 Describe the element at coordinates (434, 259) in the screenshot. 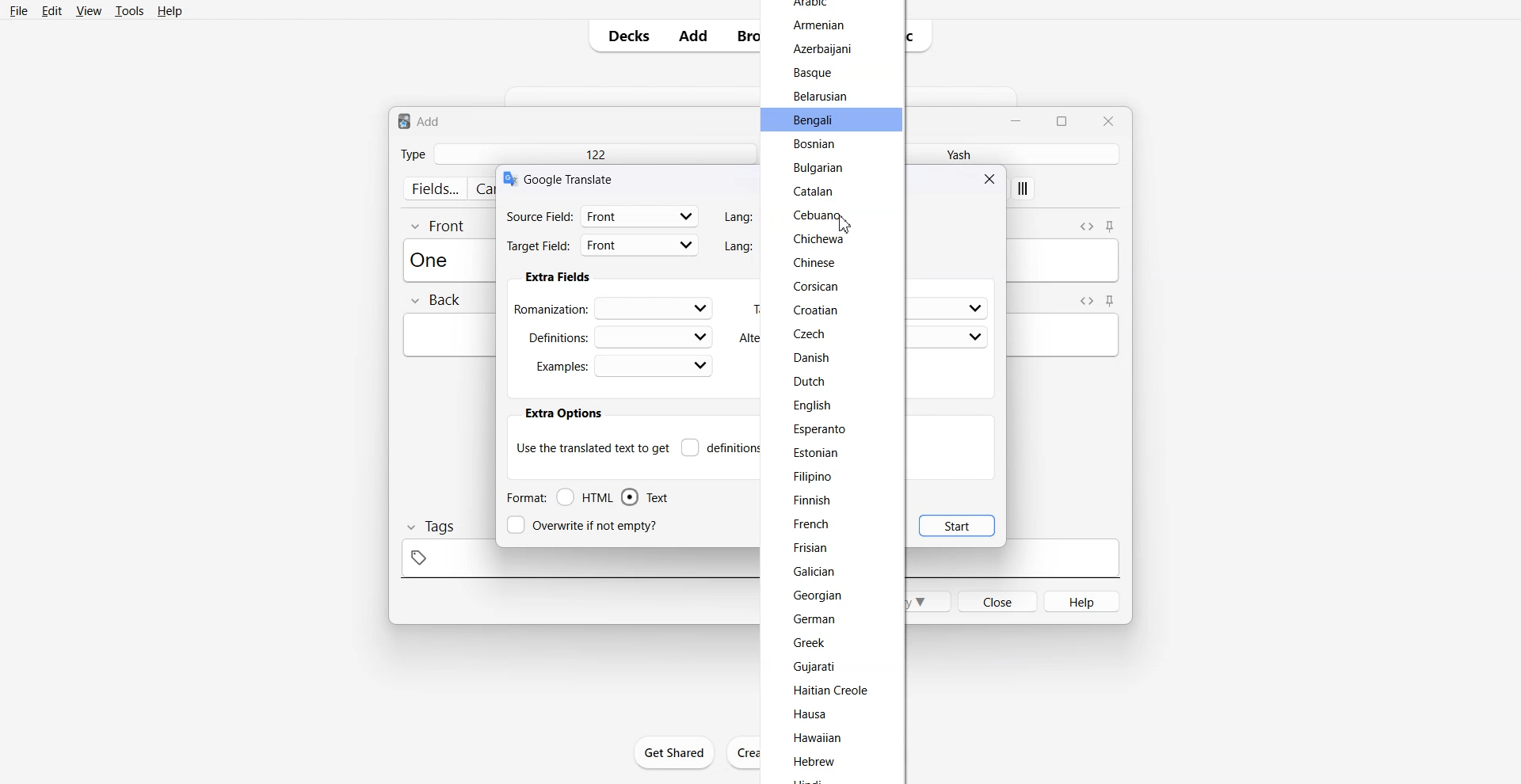

I see `Text` at that location.